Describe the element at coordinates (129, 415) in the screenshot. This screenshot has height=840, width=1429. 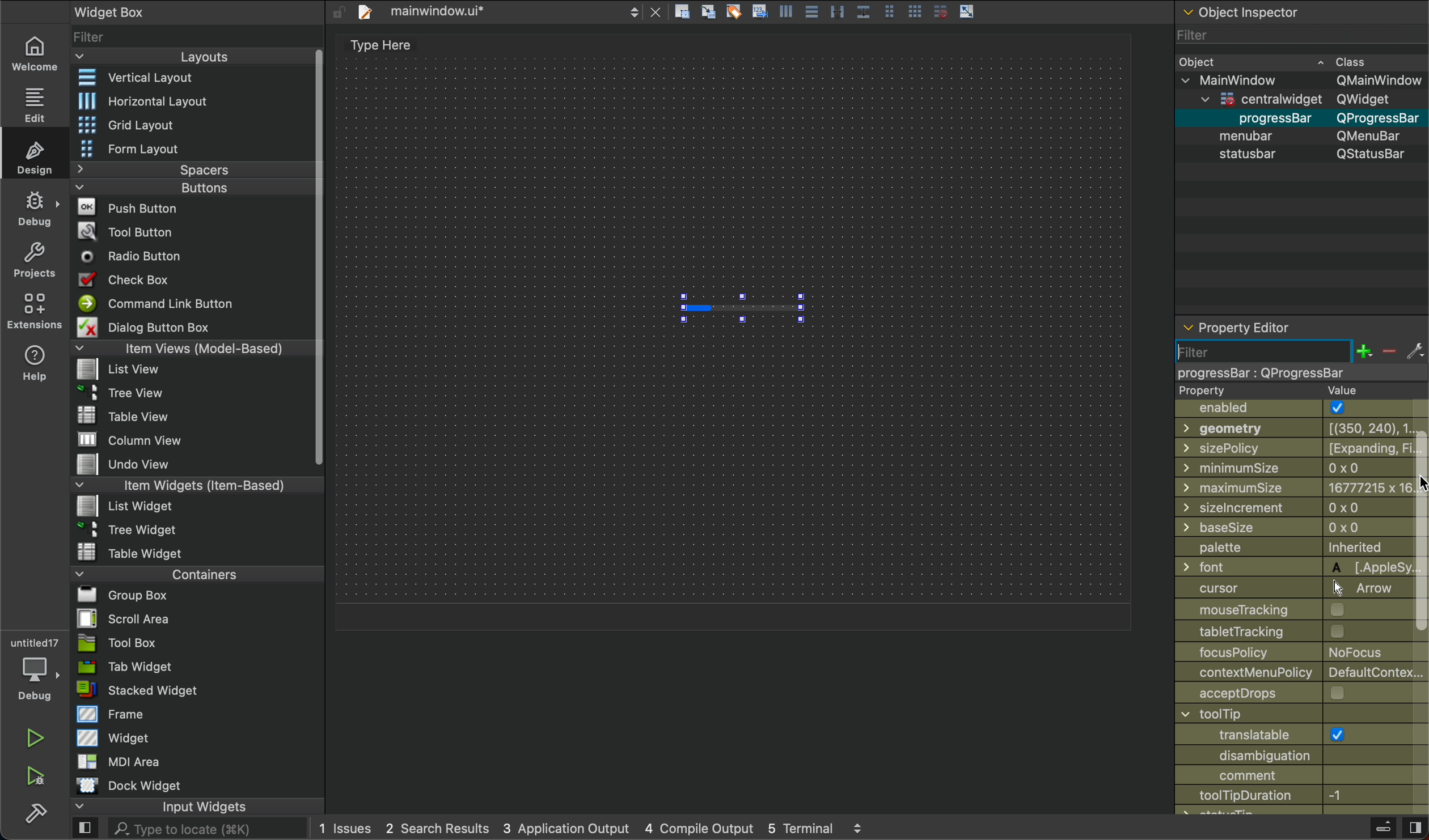
I see `File` at that location.